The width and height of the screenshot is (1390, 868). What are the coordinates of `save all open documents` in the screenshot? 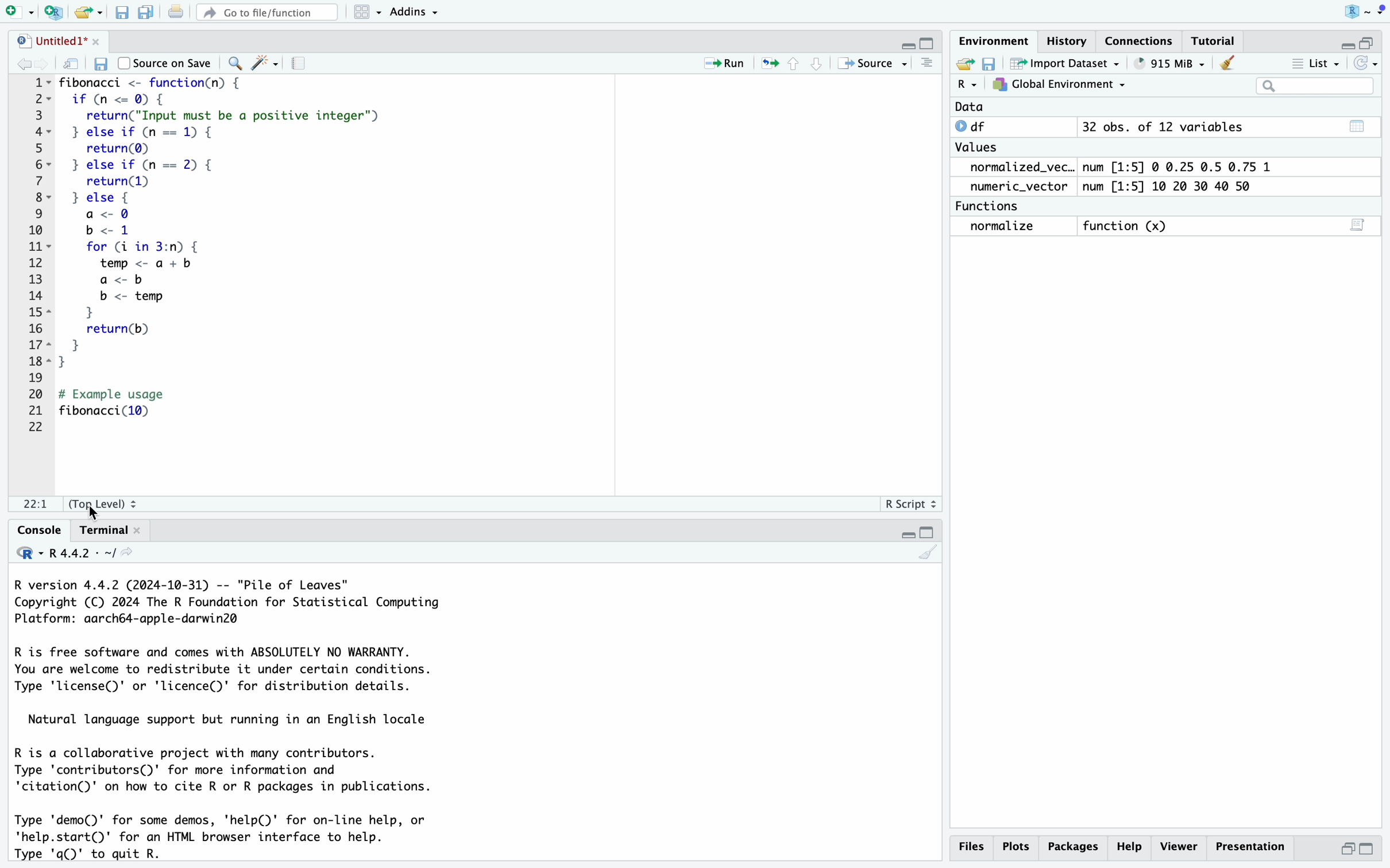 It's located at (147, 11).